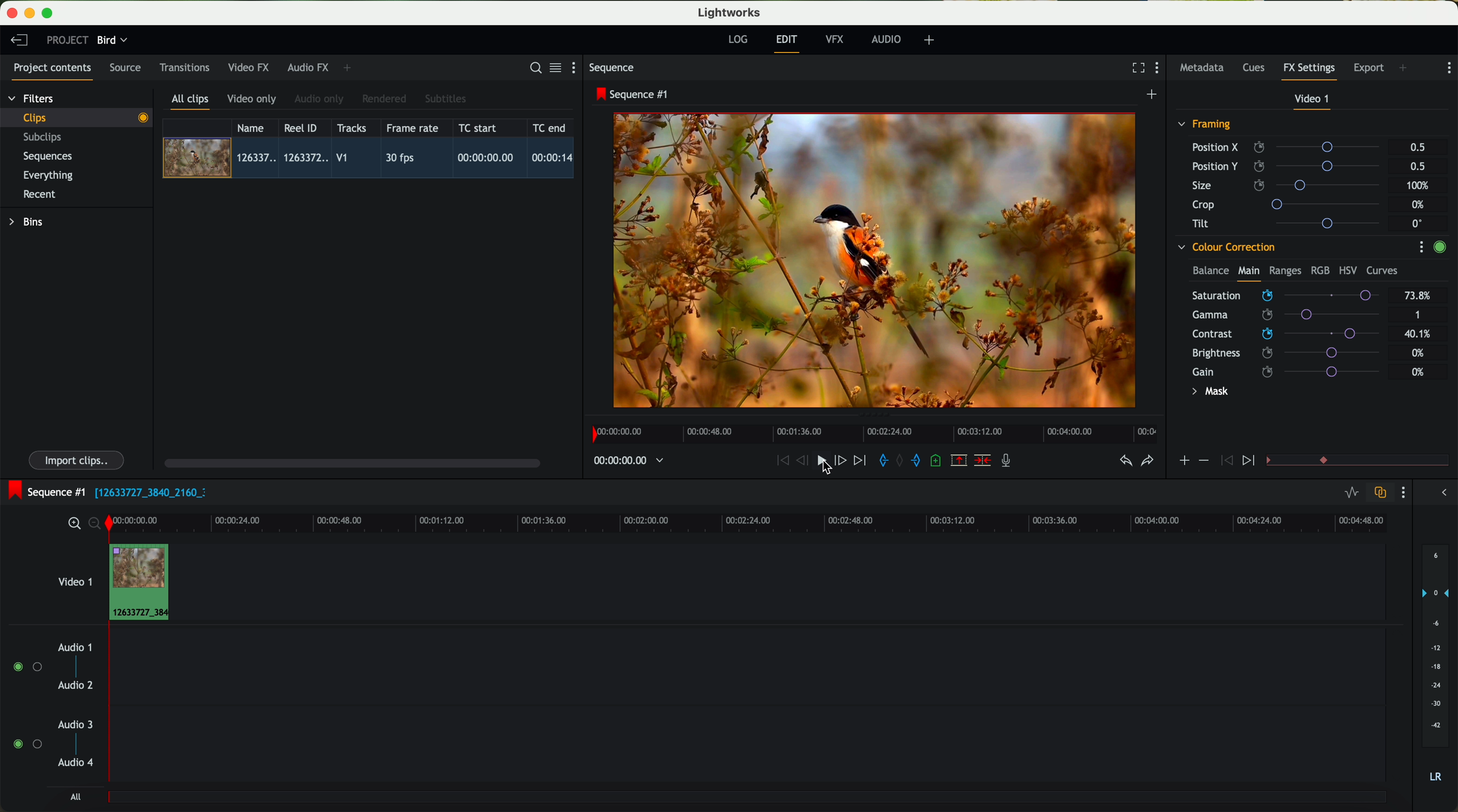  Describe the element at coordinates (633, 94) in the screenshot. I see `sequence #1` at that location.